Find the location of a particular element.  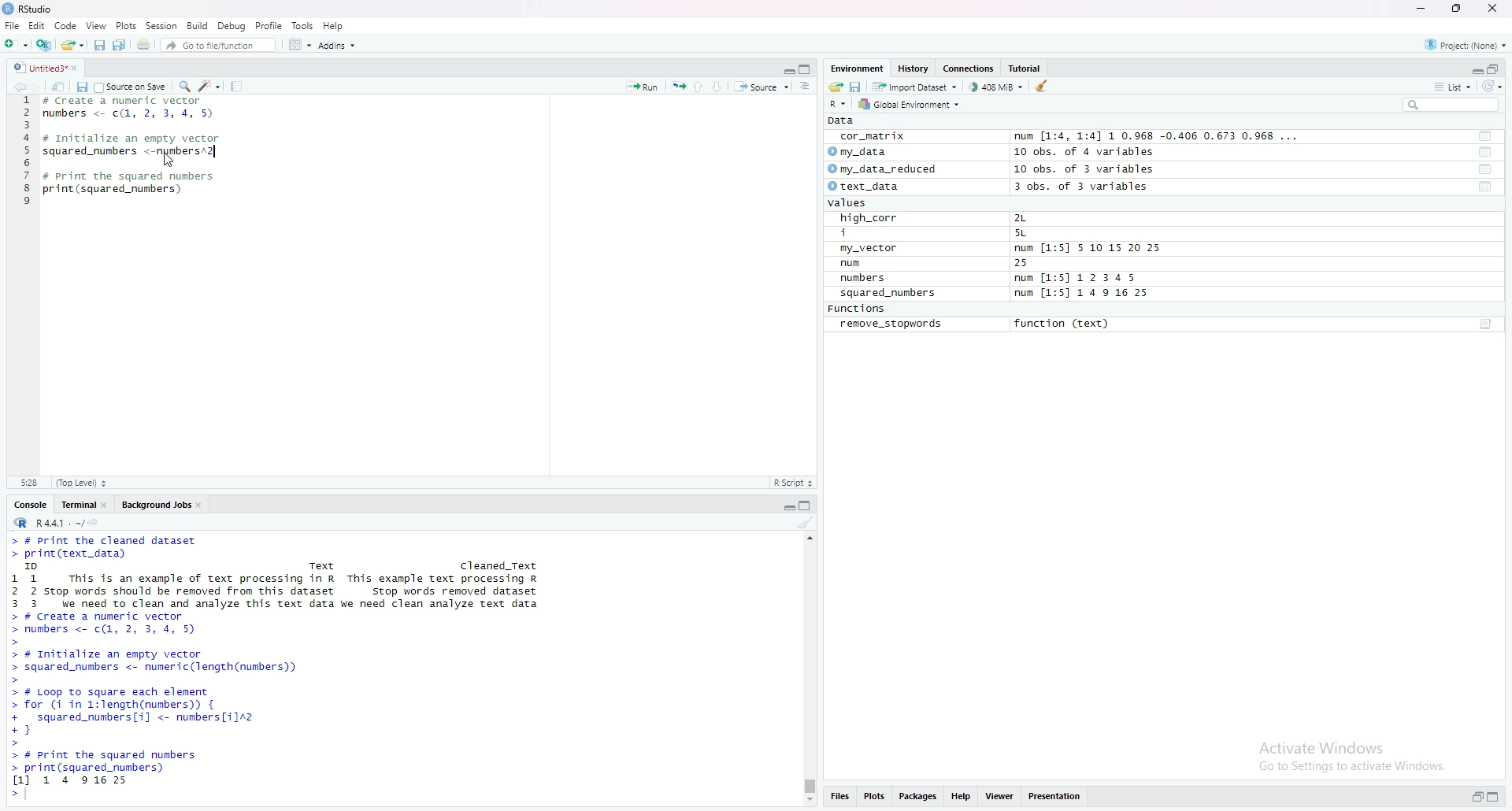

Help is located at coordinates (962, 798).